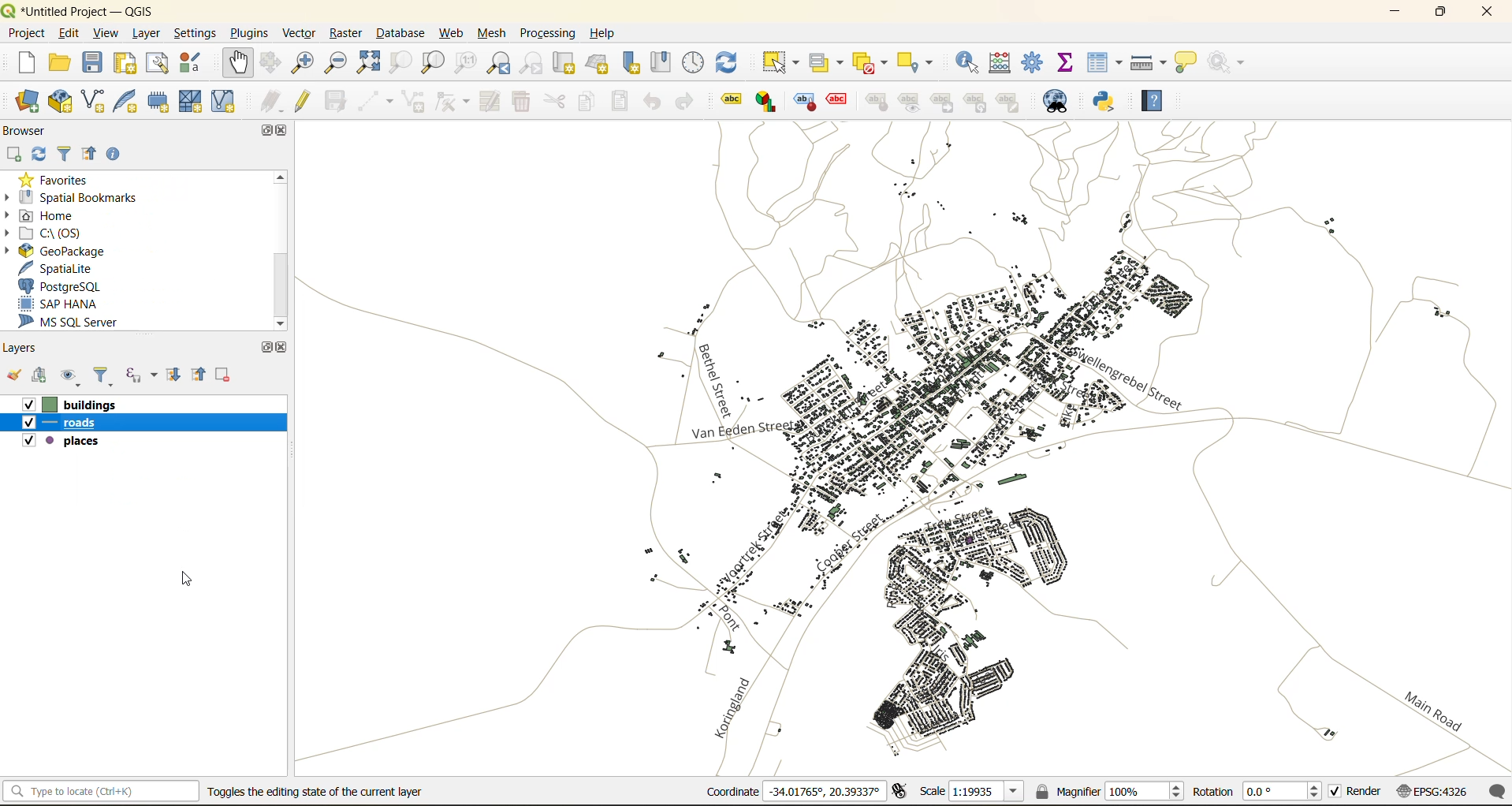 Image resolution: width=1512 pixels, height=806 pixels. Describe the element at coordinates (315, 791) in the screenshot. I see `toggle the editing state of current layer` at that location.